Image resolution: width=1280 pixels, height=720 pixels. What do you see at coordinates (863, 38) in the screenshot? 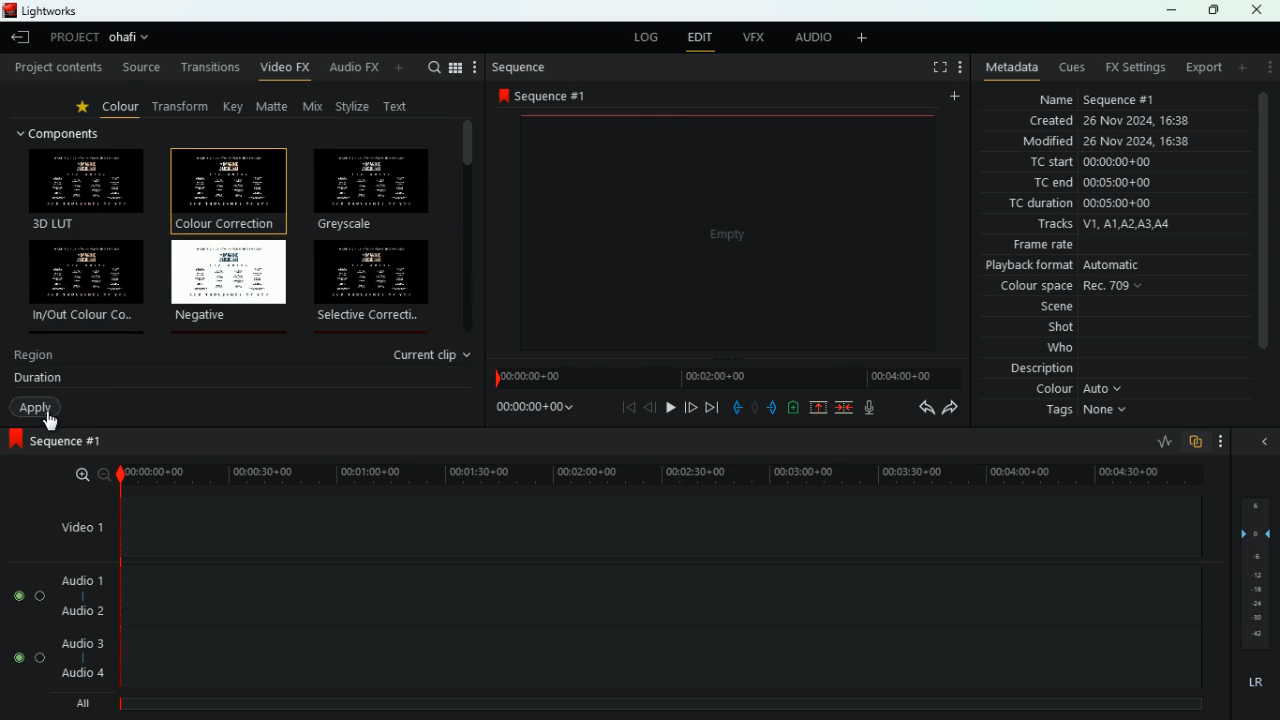
I see `more` at bounding box center [863, 38].